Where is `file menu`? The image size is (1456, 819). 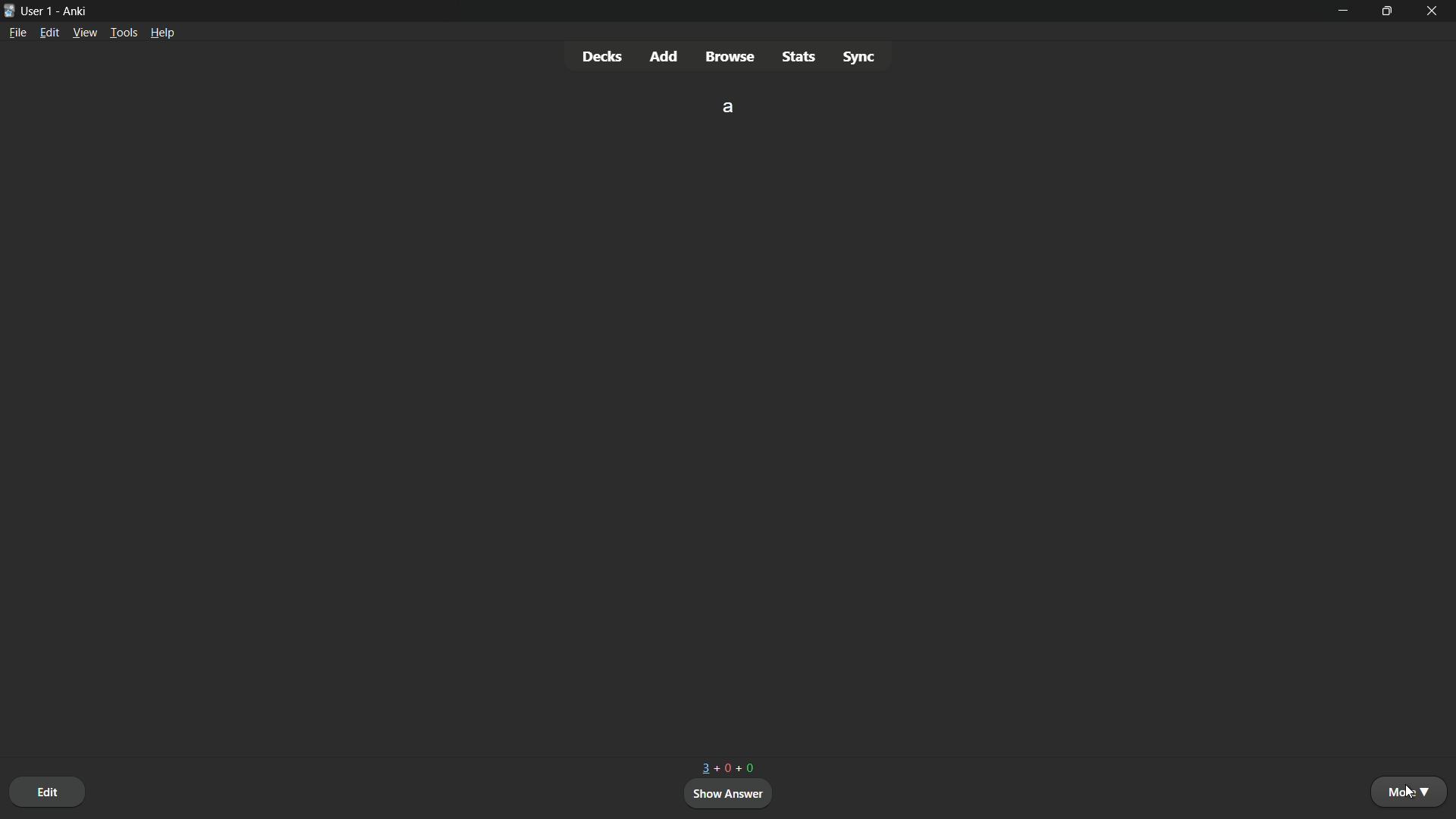
file menu is located at coordinates (17, 33).